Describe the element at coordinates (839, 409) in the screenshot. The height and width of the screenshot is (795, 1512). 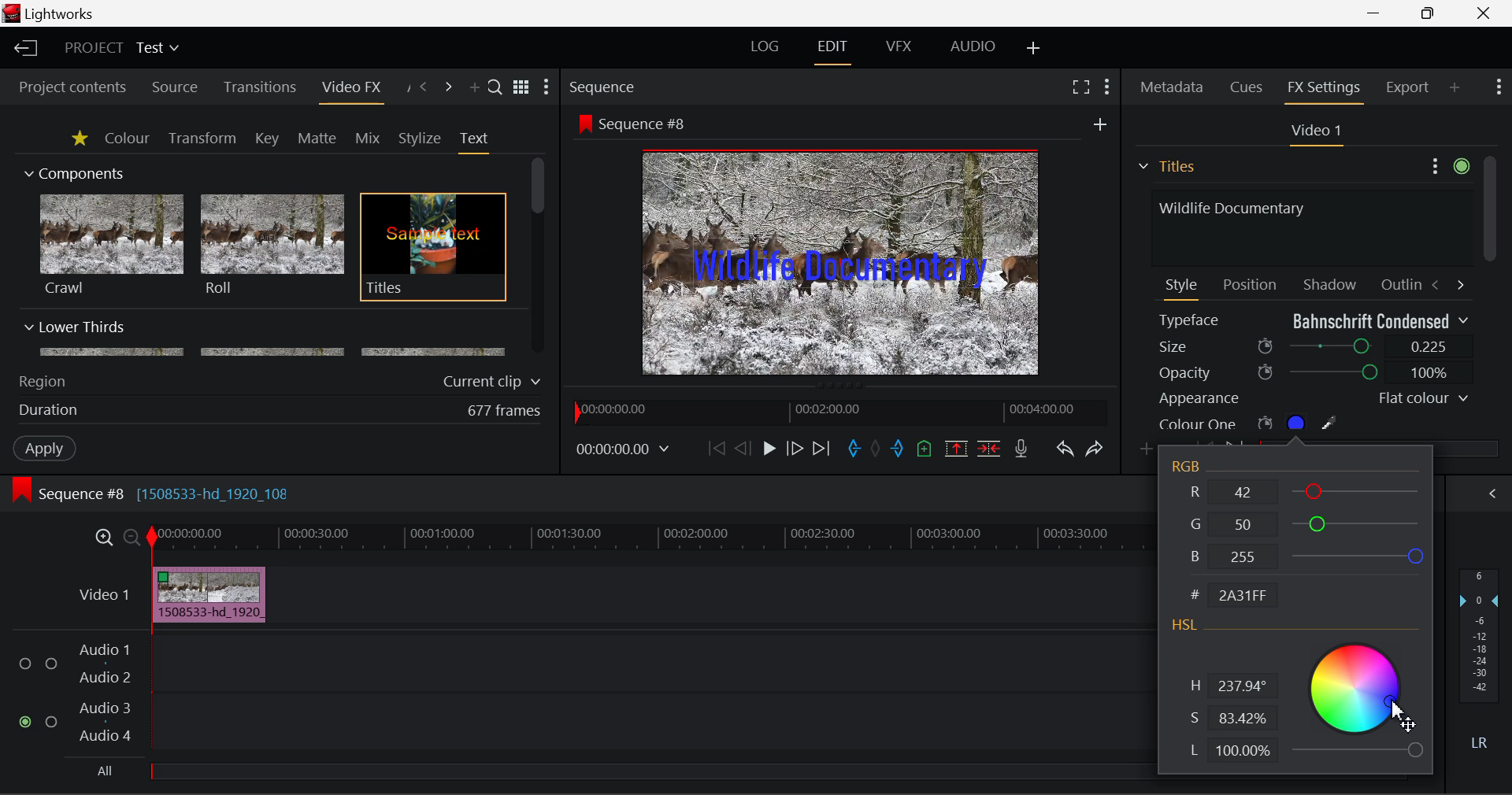
I see `Project Timeline Navigator` at that location.